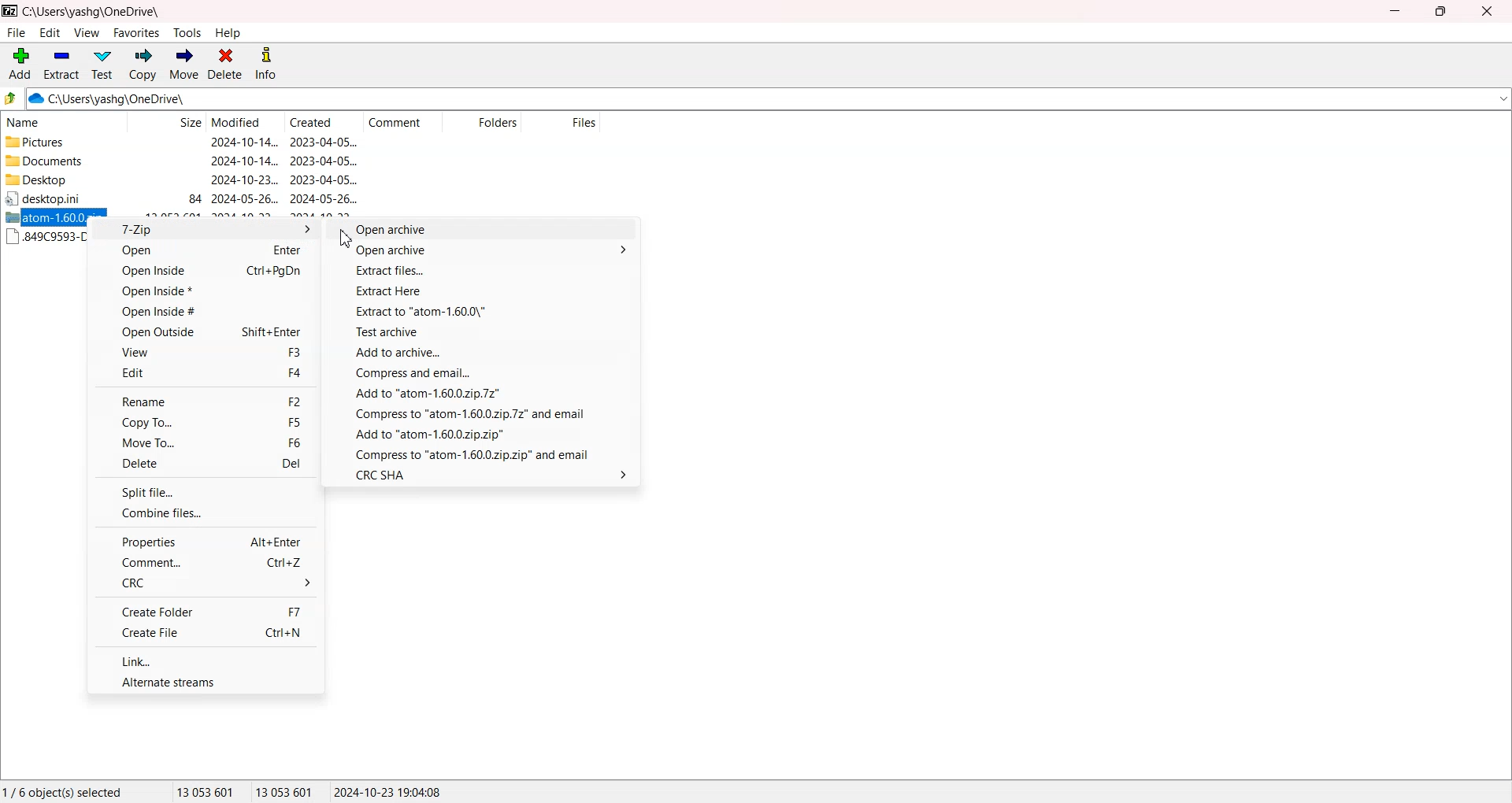 Image resolution: width=1512 pixels, height=803 pixels. What do you see at coordinates (50, 32) in the screenshot?
I see `Edit` at bounding box center [50, 32].